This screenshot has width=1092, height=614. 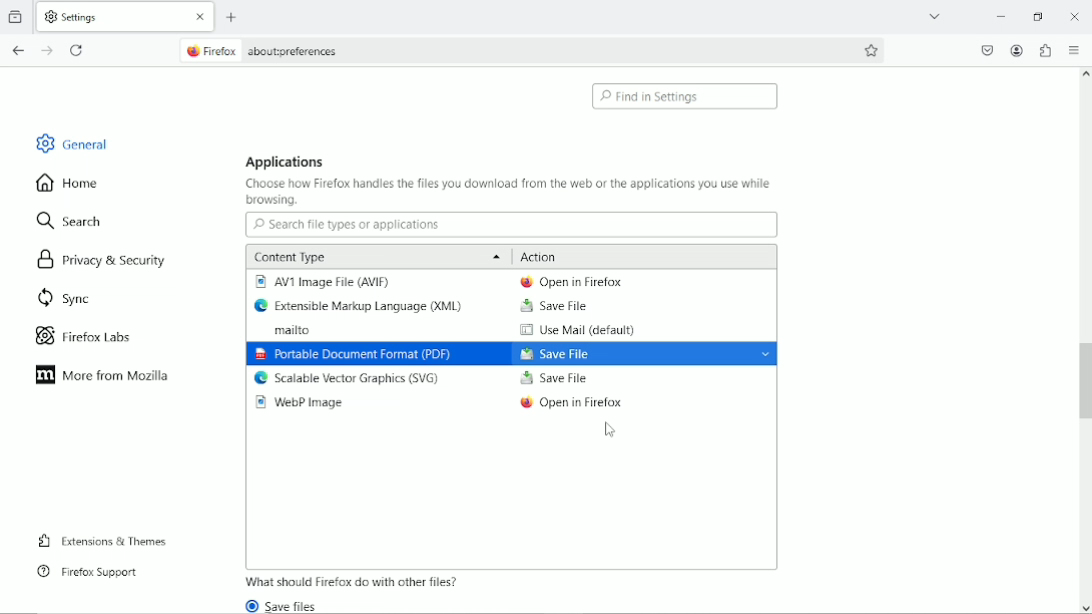 I want to click on Home, so click(x=76, y=182).